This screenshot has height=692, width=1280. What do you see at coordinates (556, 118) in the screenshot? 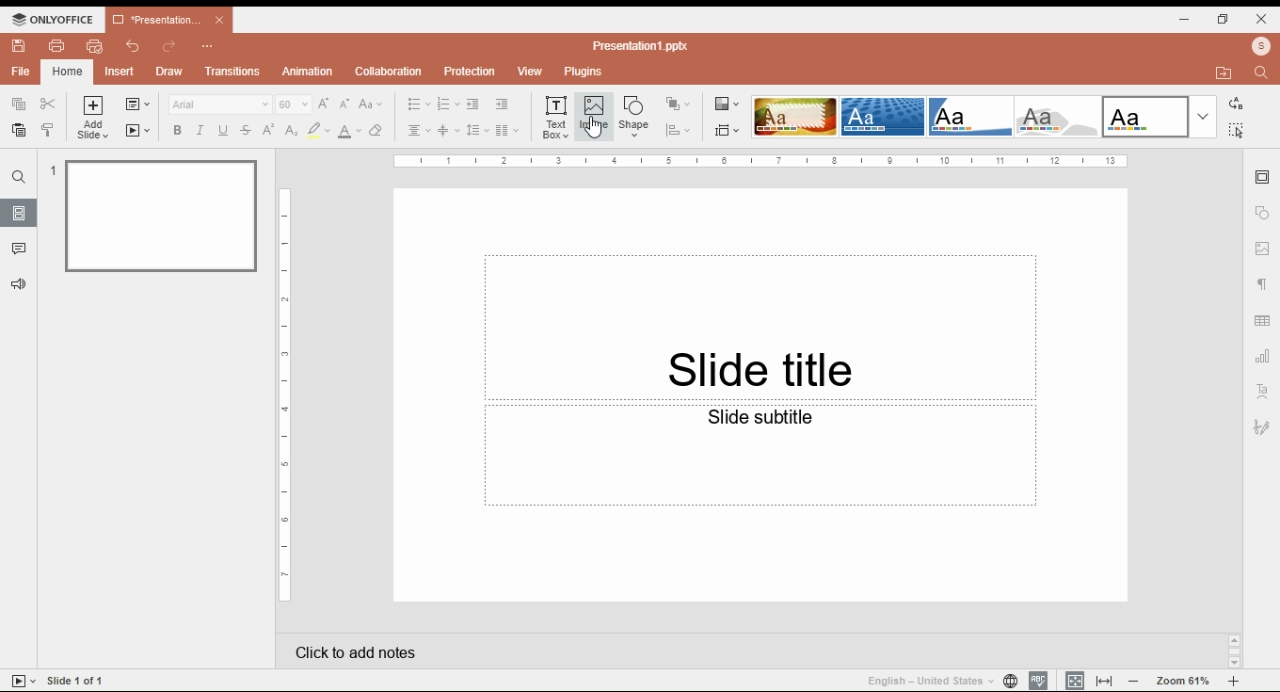
I see `insert text box` at bounding box center [556, 118].